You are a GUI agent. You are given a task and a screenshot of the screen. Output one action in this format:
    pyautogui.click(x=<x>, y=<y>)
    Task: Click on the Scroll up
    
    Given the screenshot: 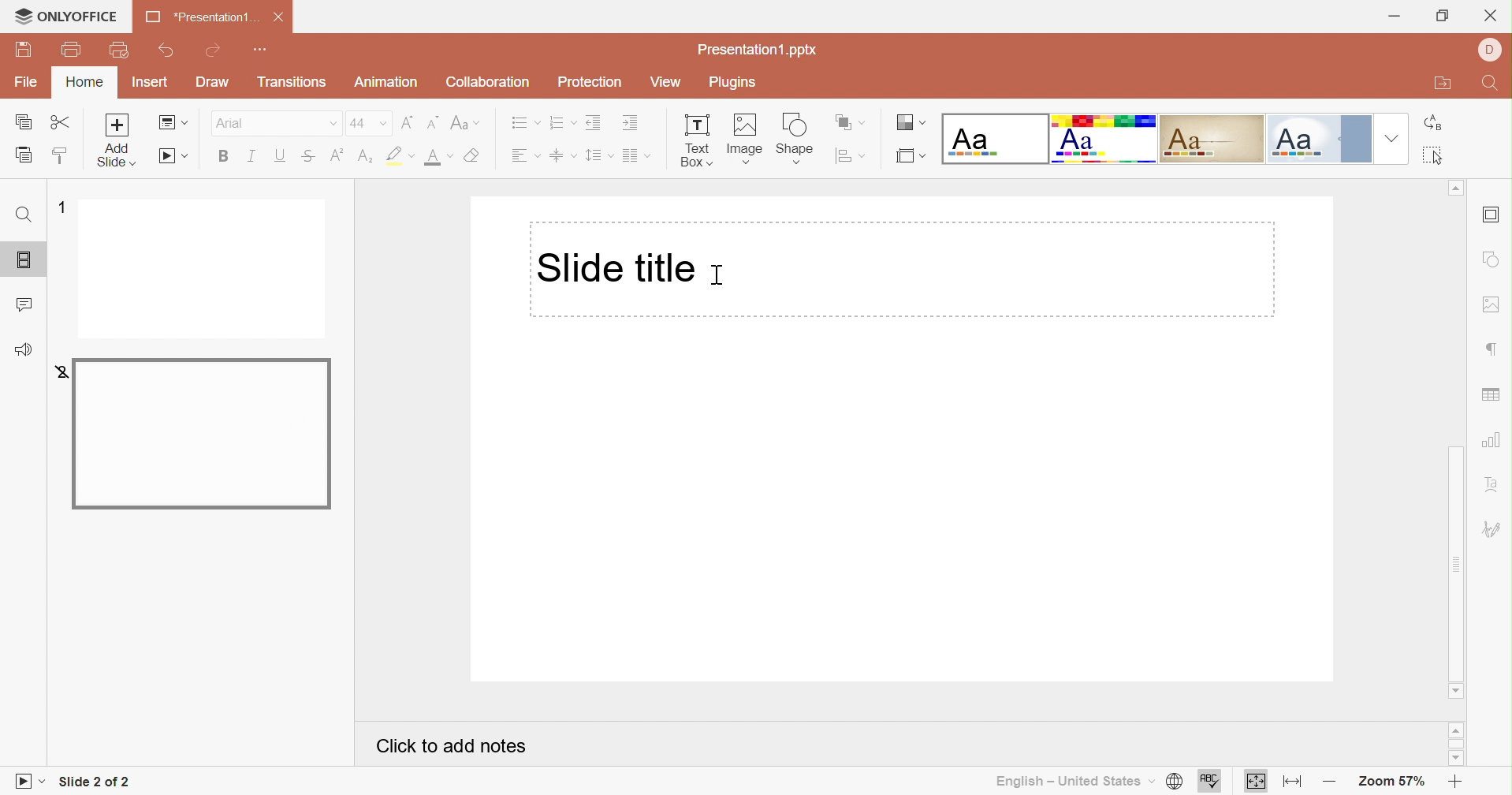 What is the action you would take?
    pyautogui.click(x=1456, y=730)
    